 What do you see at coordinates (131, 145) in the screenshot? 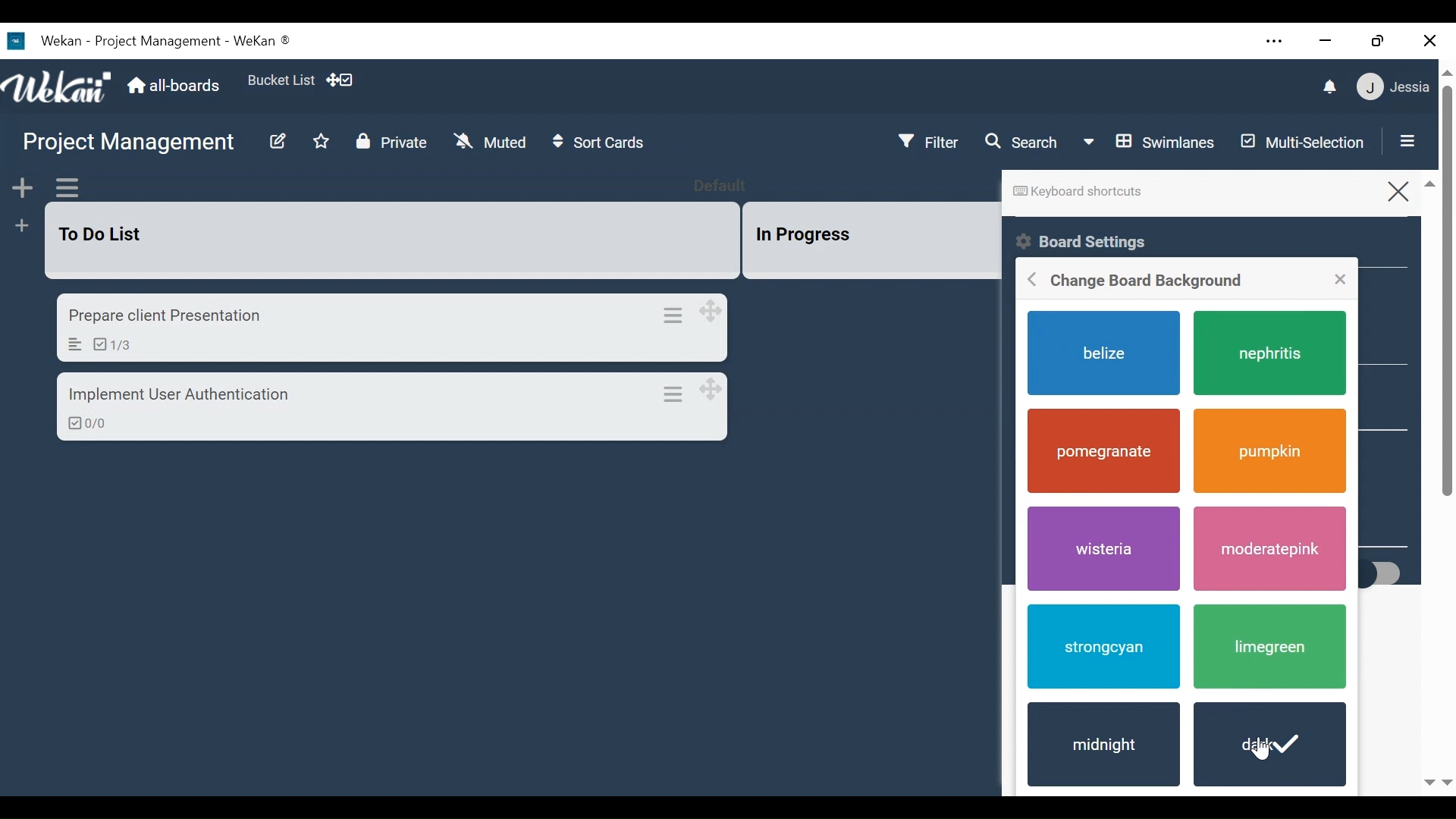
I see `Board Title` at bounding box center [131, 145].